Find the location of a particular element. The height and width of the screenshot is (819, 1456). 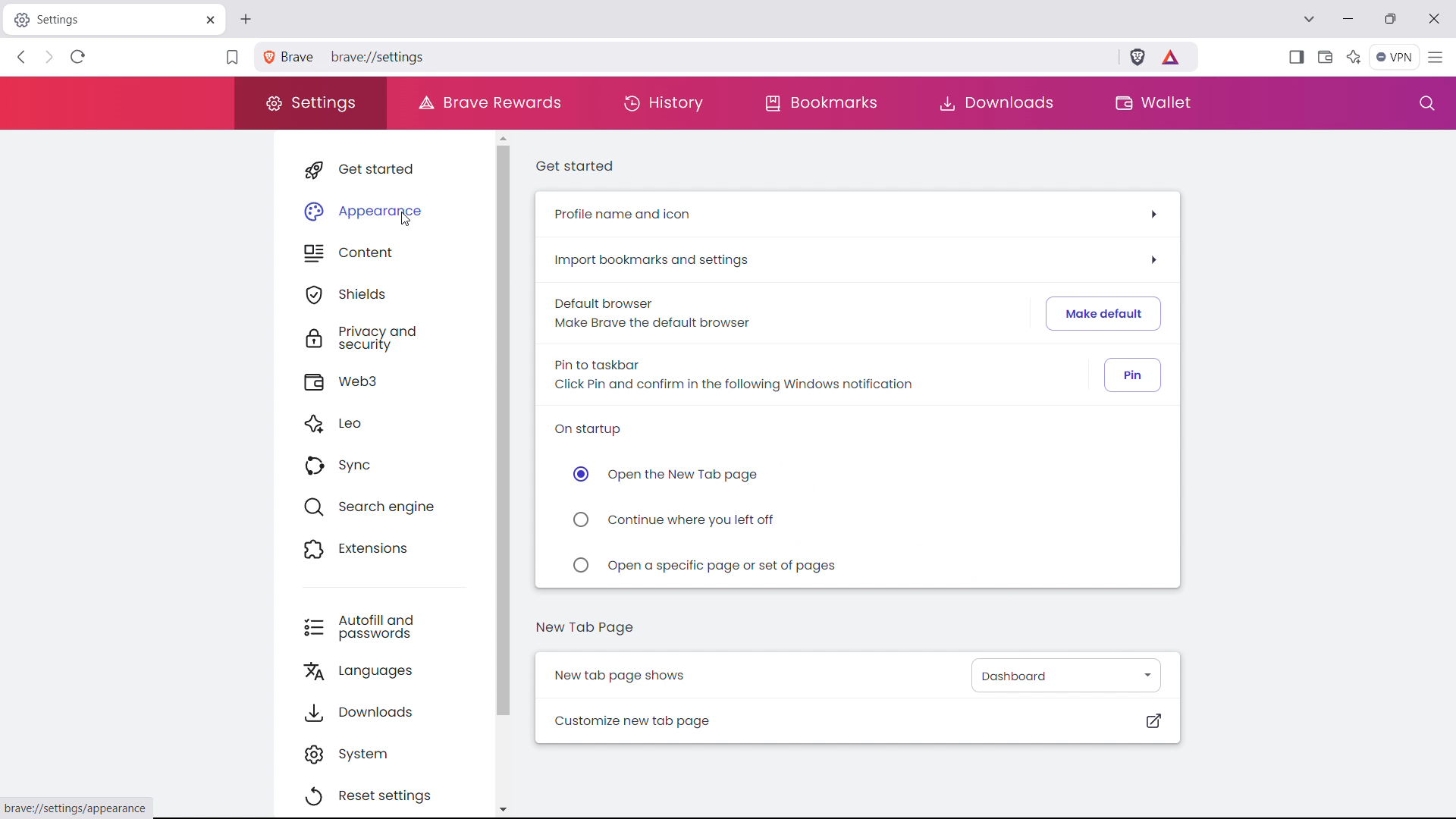

downloads is located at coordinates (995, 104).